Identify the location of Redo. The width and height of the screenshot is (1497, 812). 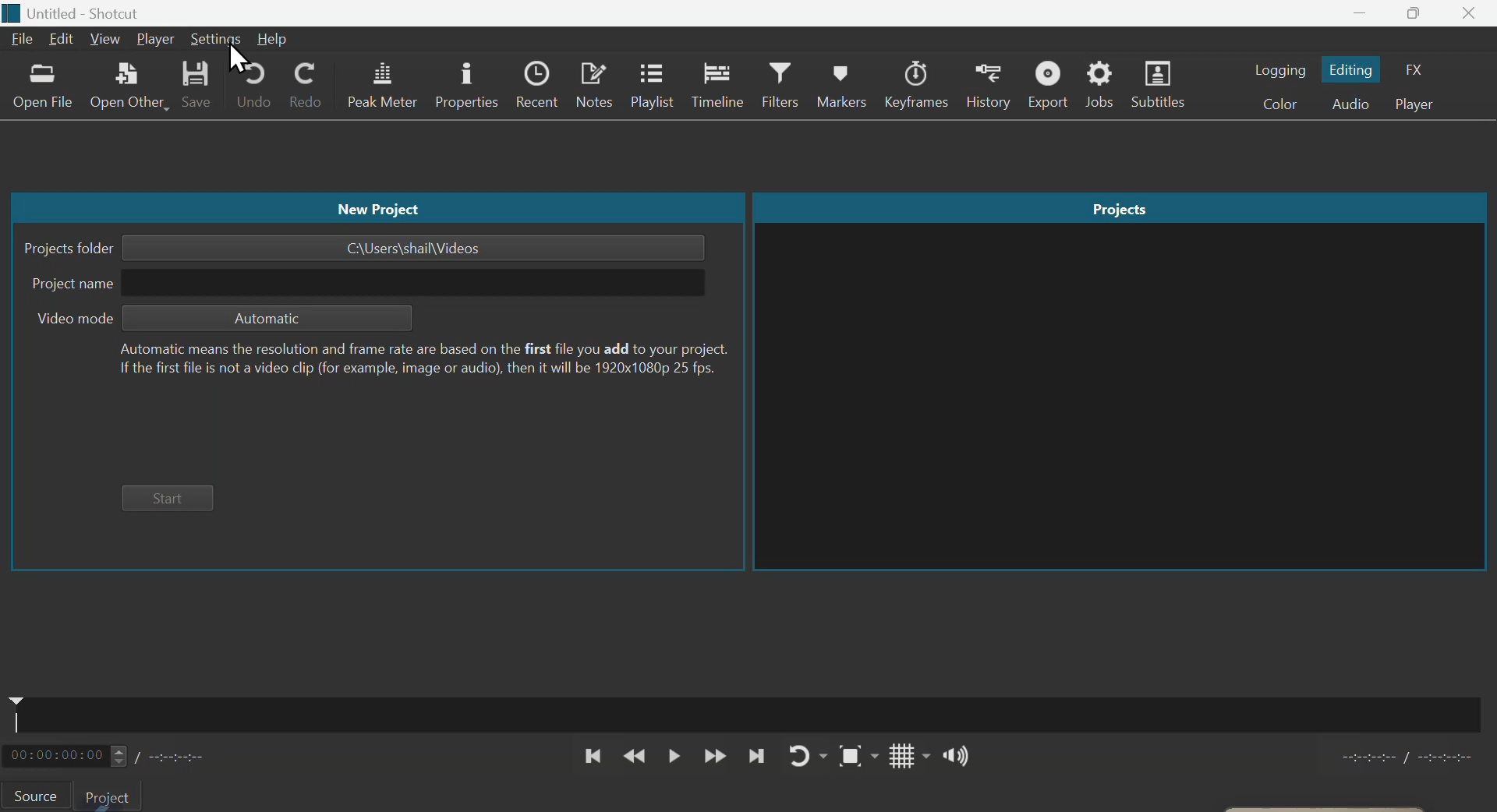
(311, 86).